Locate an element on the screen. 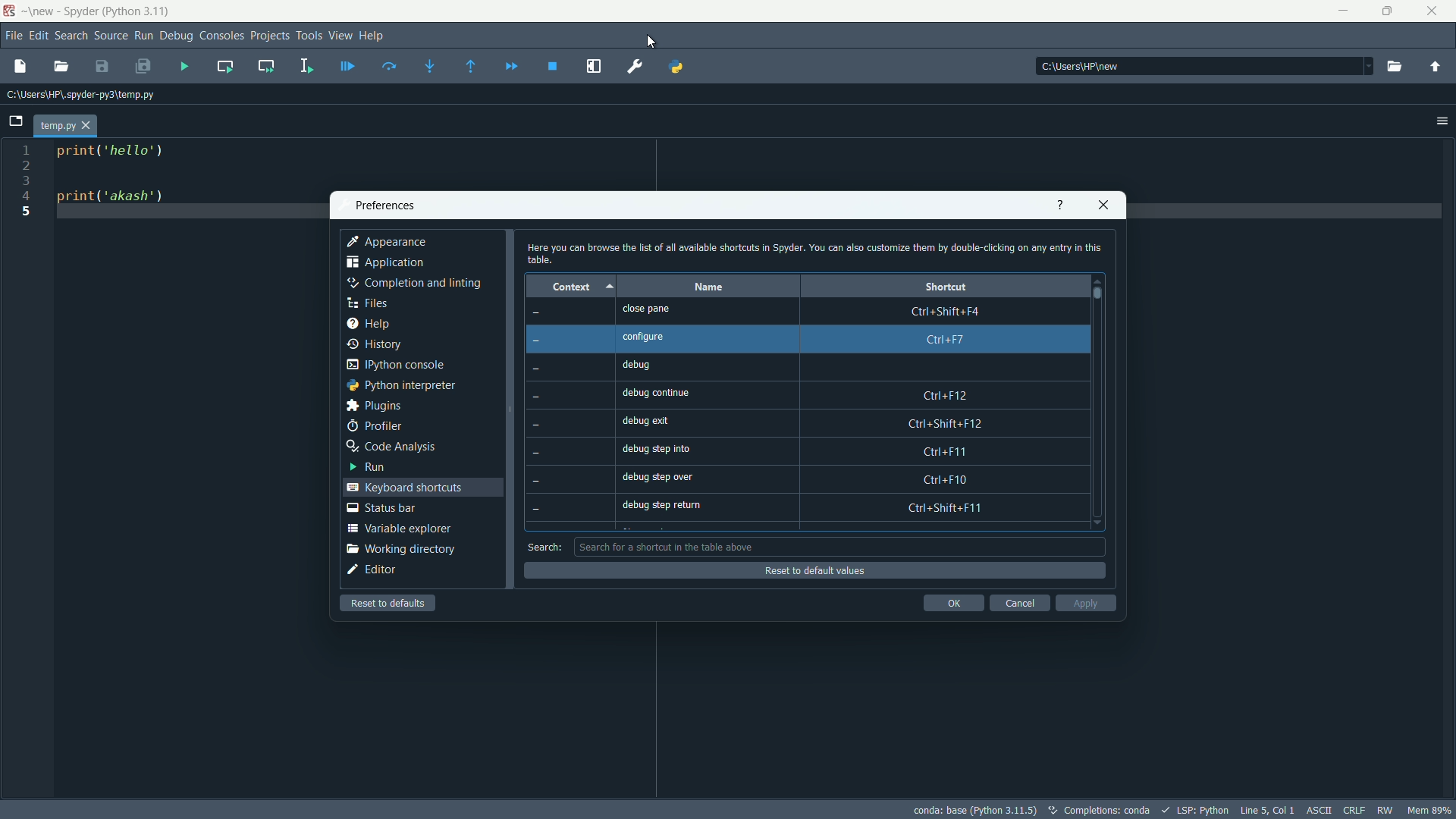  directory is located at coordinates (81, 96).